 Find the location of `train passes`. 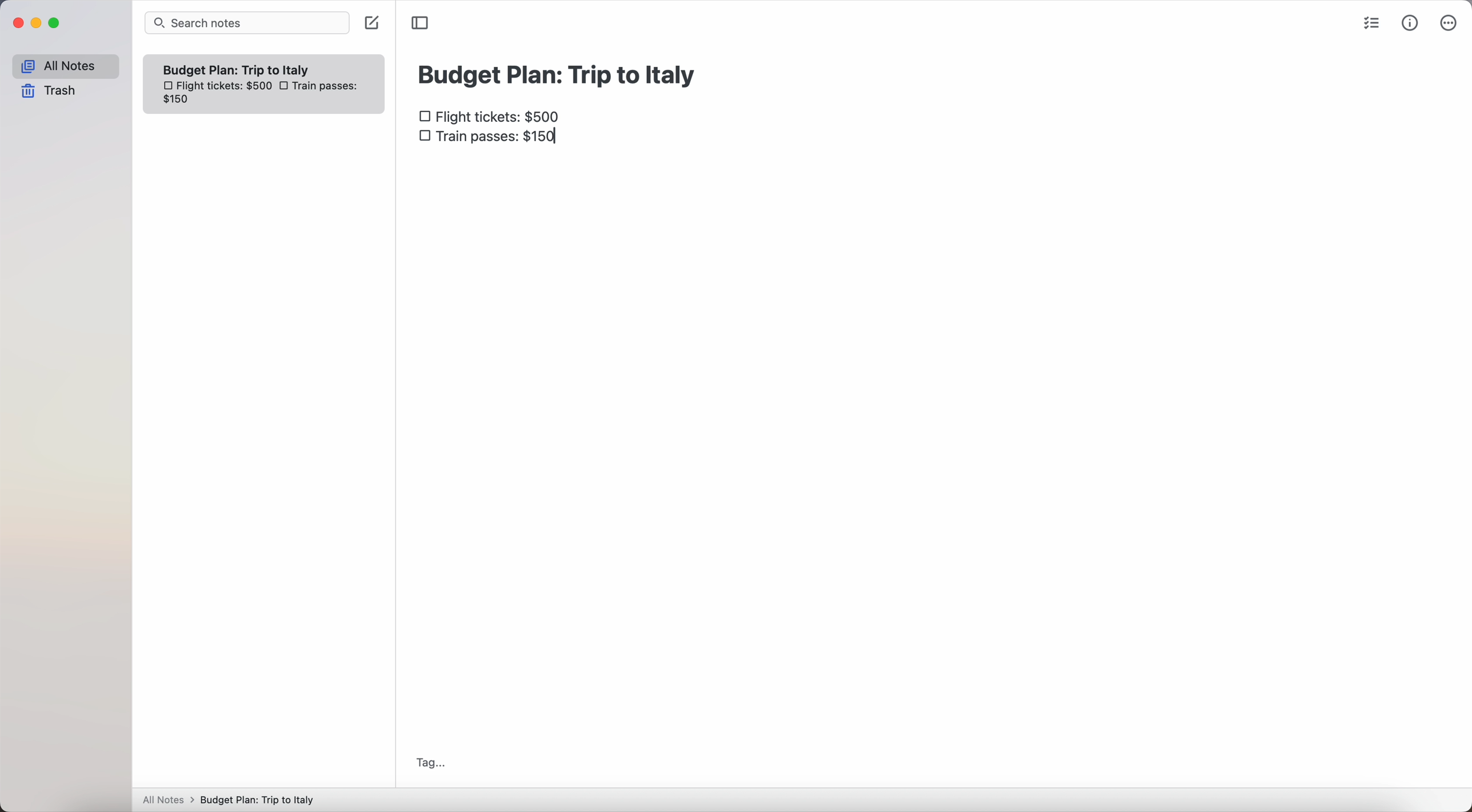

train passes is located at coordinates (327, 87).